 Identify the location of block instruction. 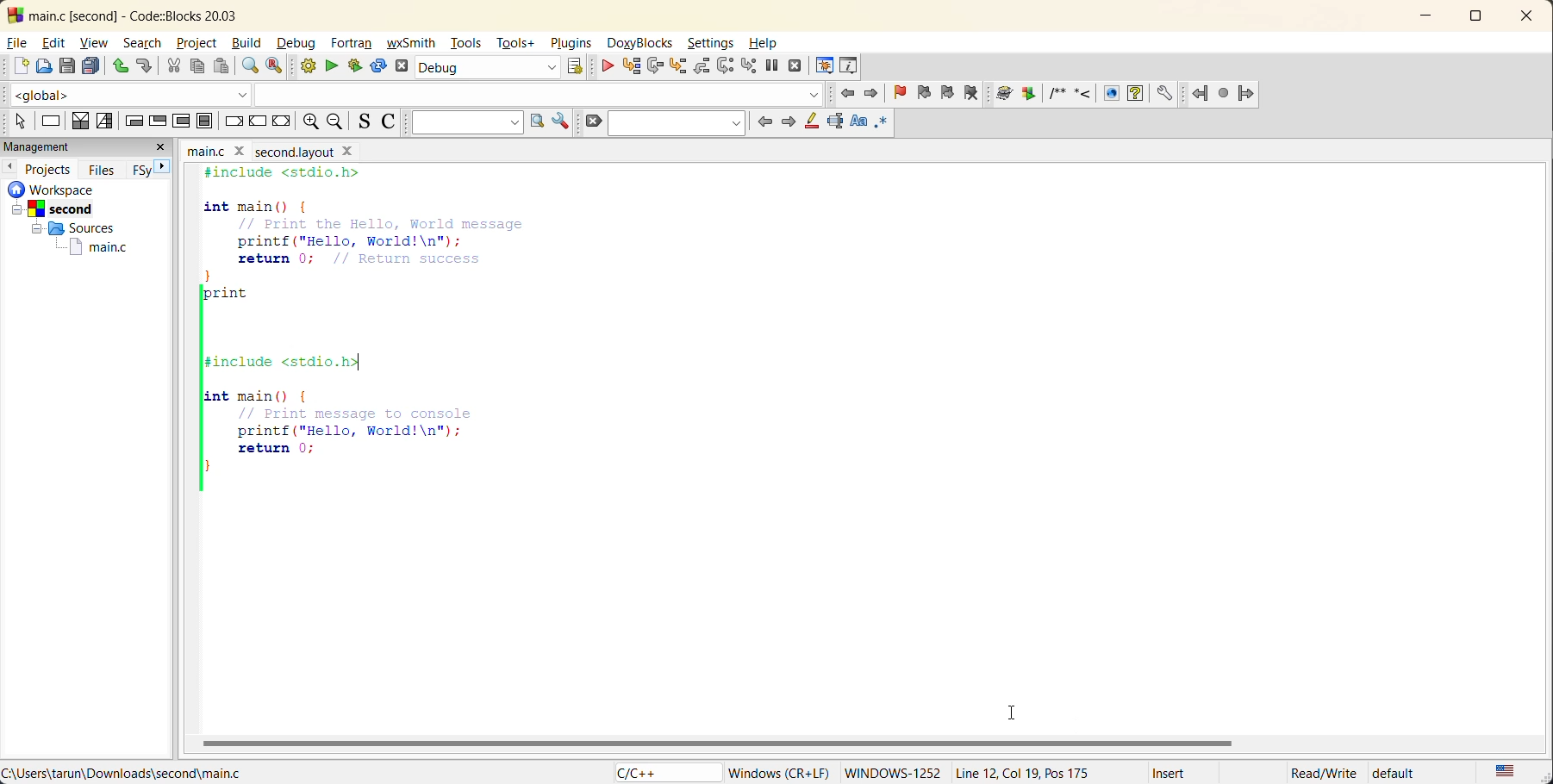
(204, 121).